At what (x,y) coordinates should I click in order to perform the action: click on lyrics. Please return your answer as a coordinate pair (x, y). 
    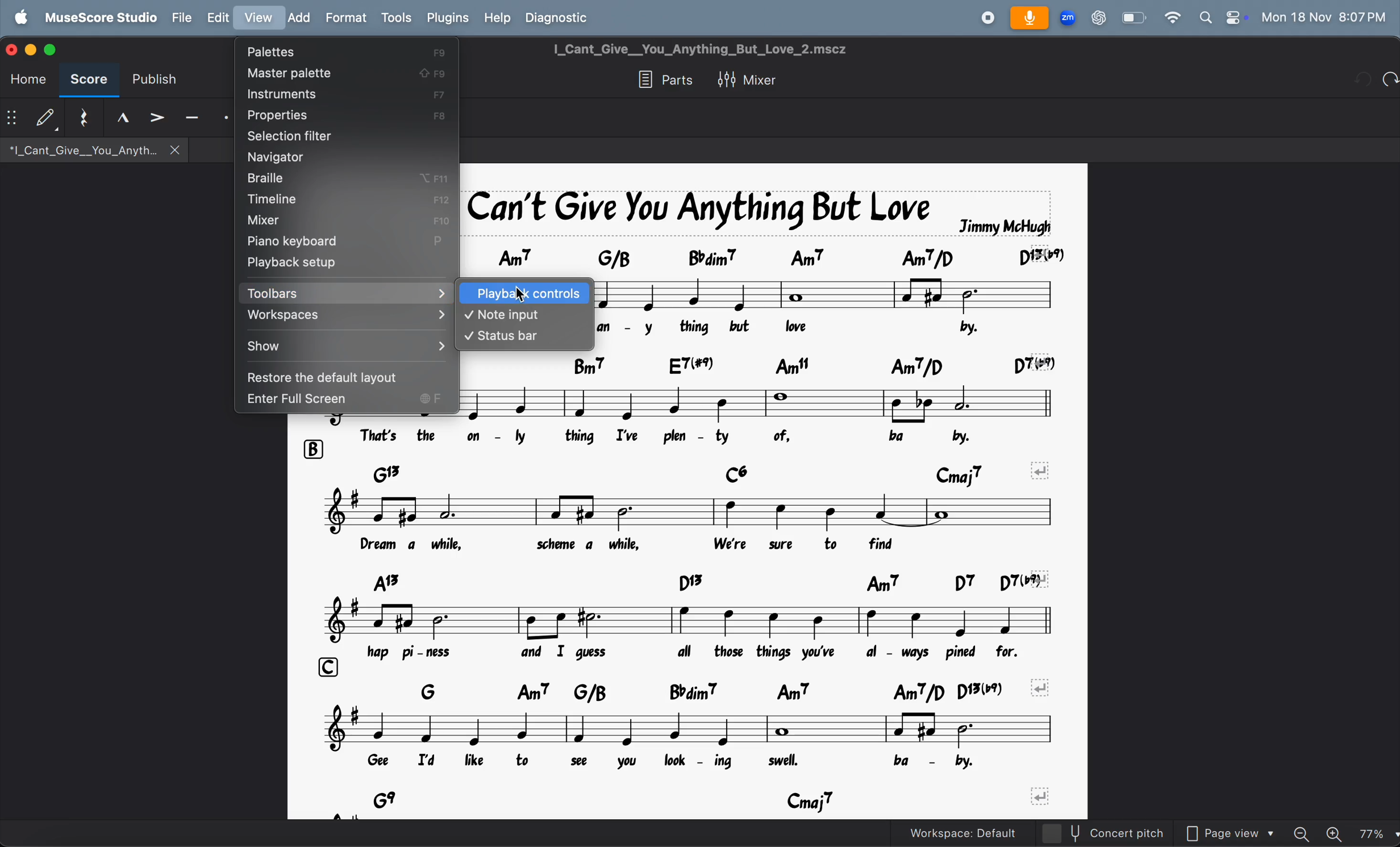
    Looking at the image, I should click on (696, 437).